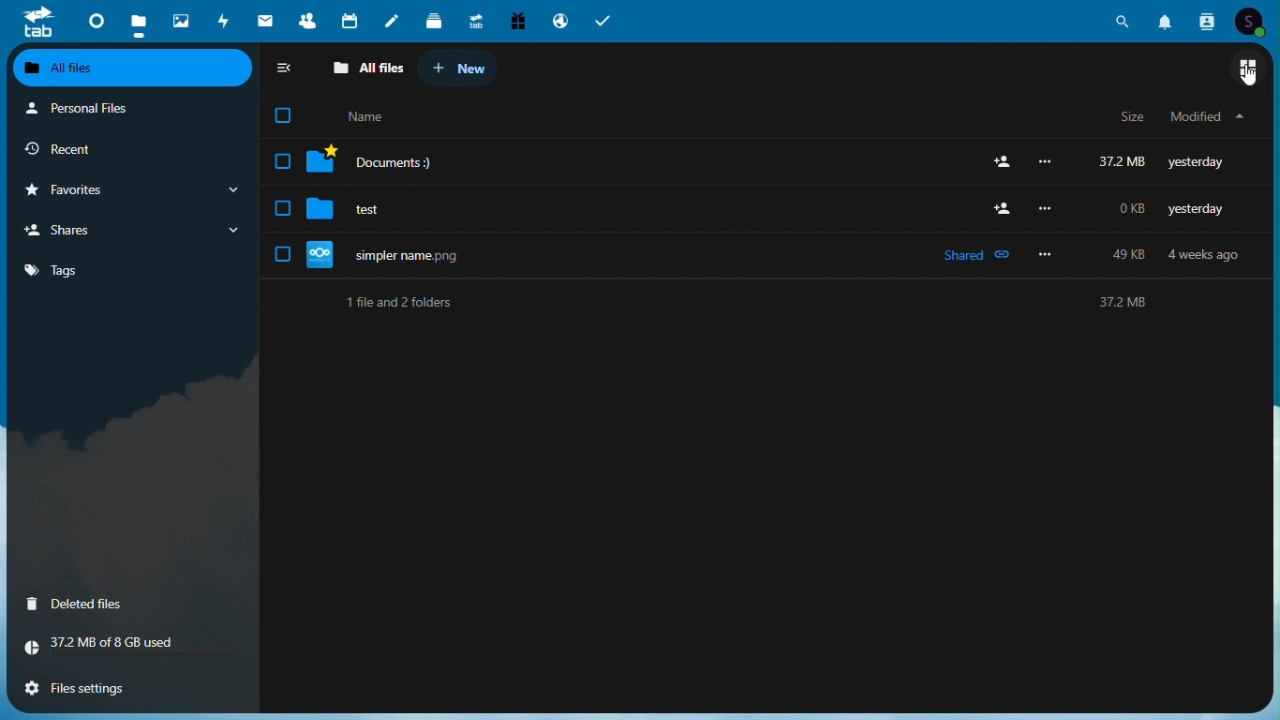  Describe the element at coordinates (752, 306) in the screenshot. I see `1 file and 2 folders. 372m8` at that location.